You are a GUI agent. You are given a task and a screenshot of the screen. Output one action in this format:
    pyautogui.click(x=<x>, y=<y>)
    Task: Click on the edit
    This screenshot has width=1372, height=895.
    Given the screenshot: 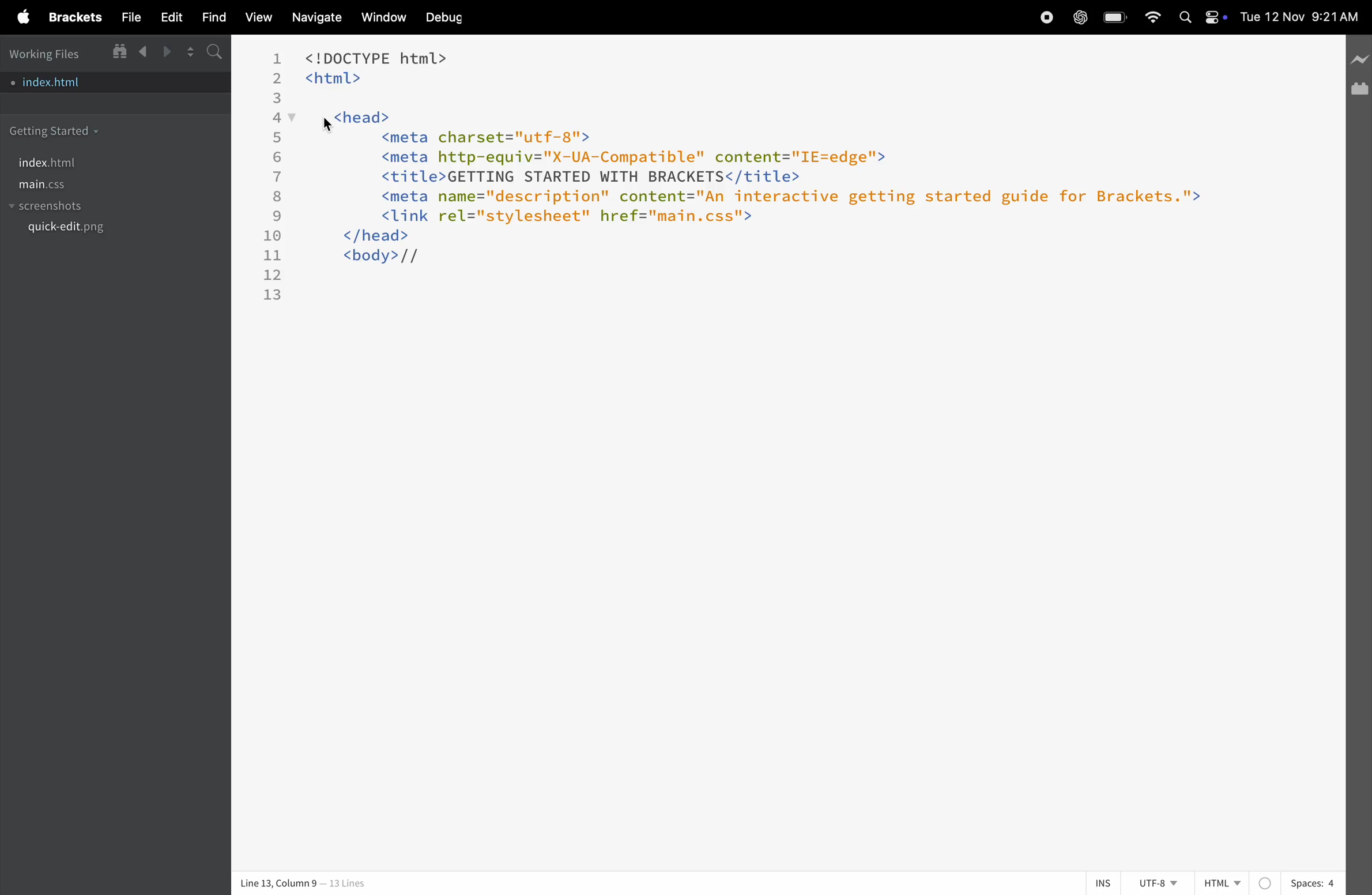 What is the action you would take?
    pyautogui.click(x=167, y=16)
    